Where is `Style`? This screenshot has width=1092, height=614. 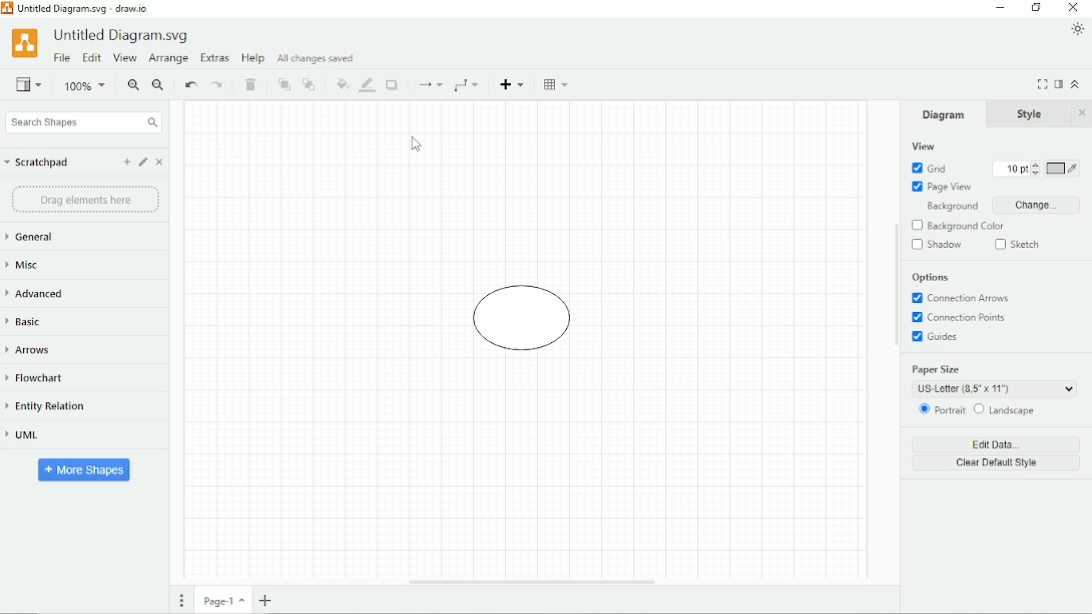 Style is located at coordinates (1032, 113).